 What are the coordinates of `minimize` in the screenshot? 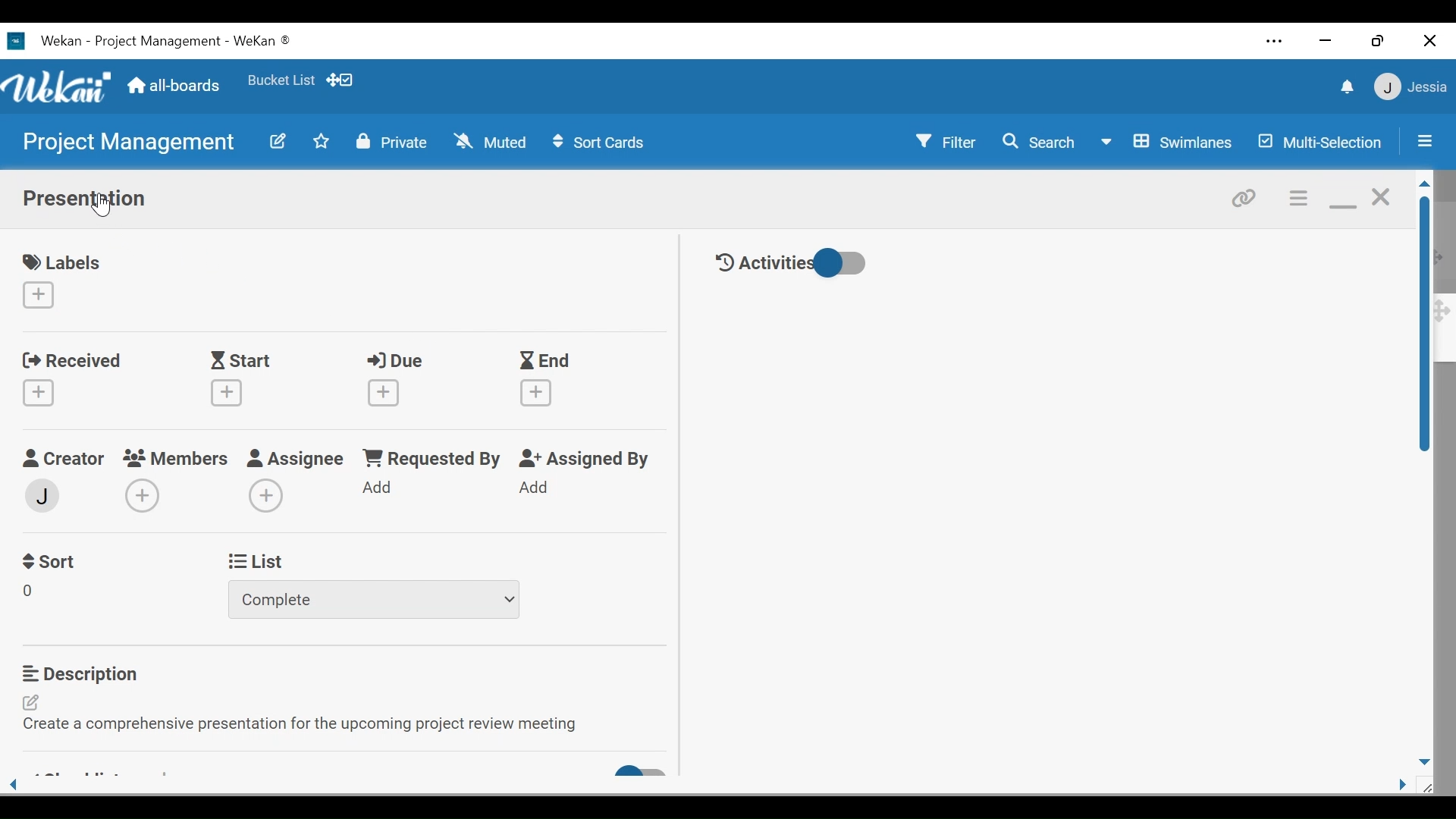 It's located at (1326, 41).